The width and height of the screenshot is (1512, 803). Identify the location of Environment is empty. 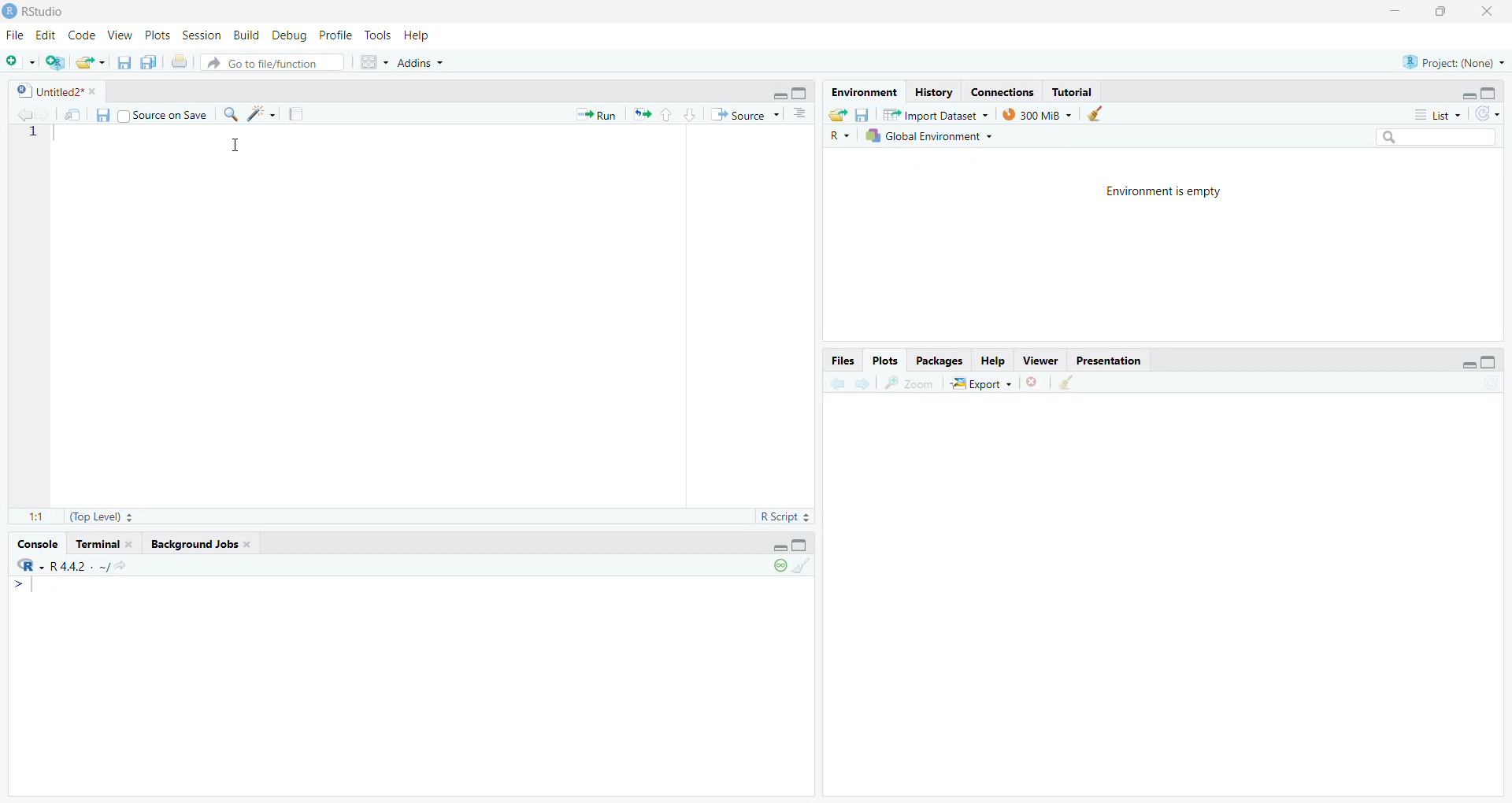
(1158, 191).